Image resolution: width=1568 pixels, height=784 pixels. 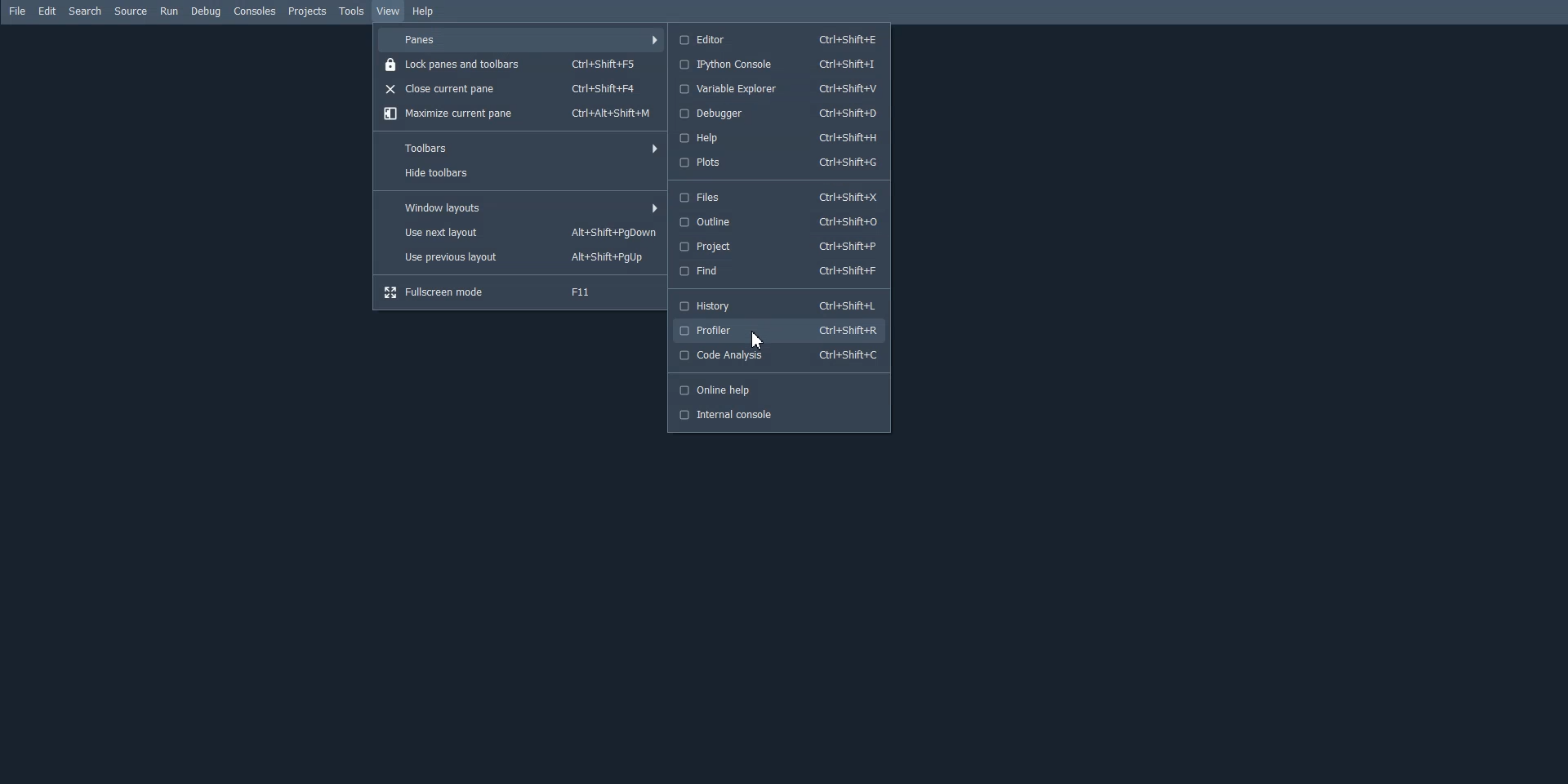 What do you see at coordinates (521, 114) in the screenshot?
I see `Maximize current pane` at bounding box center [521, 114].